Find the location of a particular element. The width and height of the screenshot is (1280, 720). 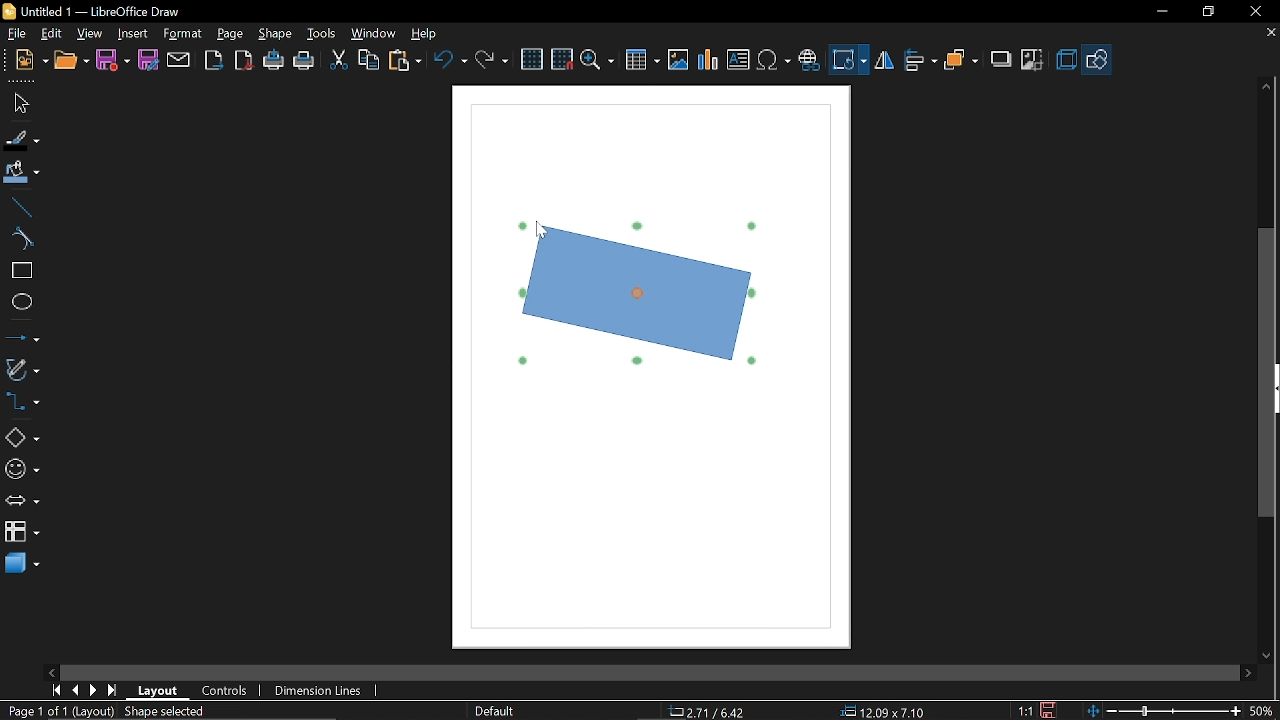

Layout is located at coordinates (158, 691).